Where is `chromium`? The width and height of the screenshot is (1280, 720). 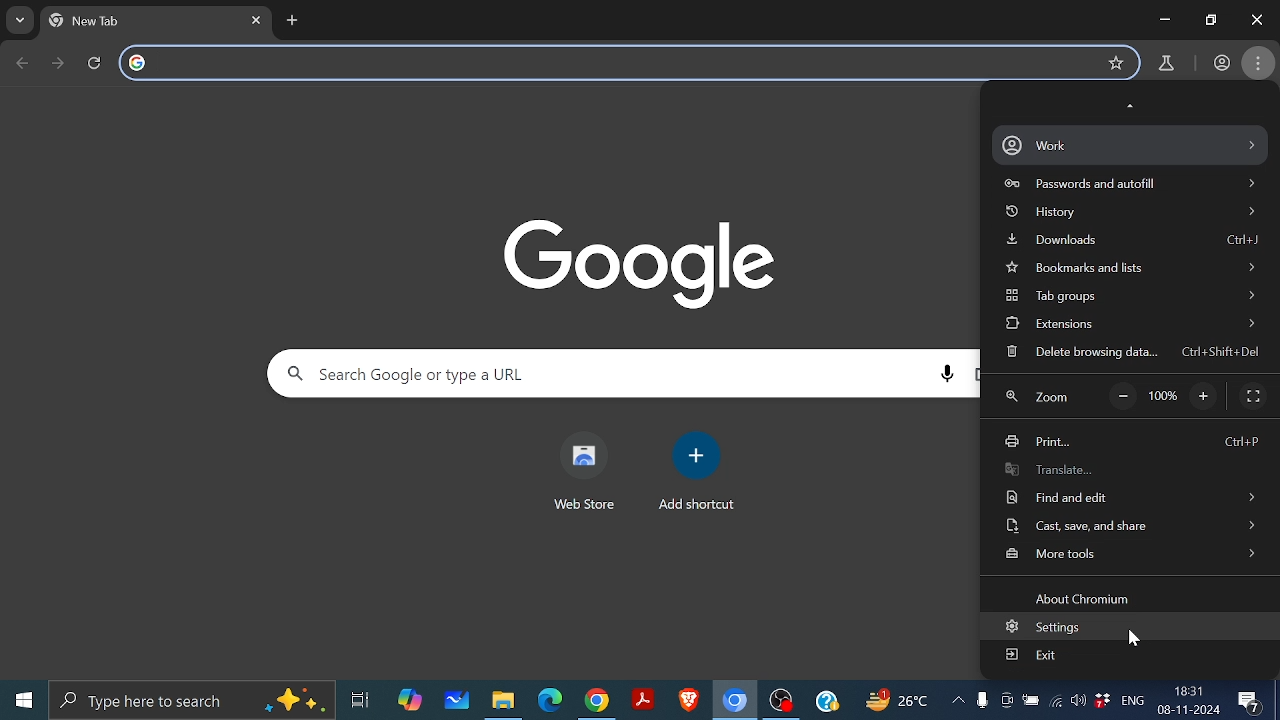 chromium is located at coordinates (735, 701).